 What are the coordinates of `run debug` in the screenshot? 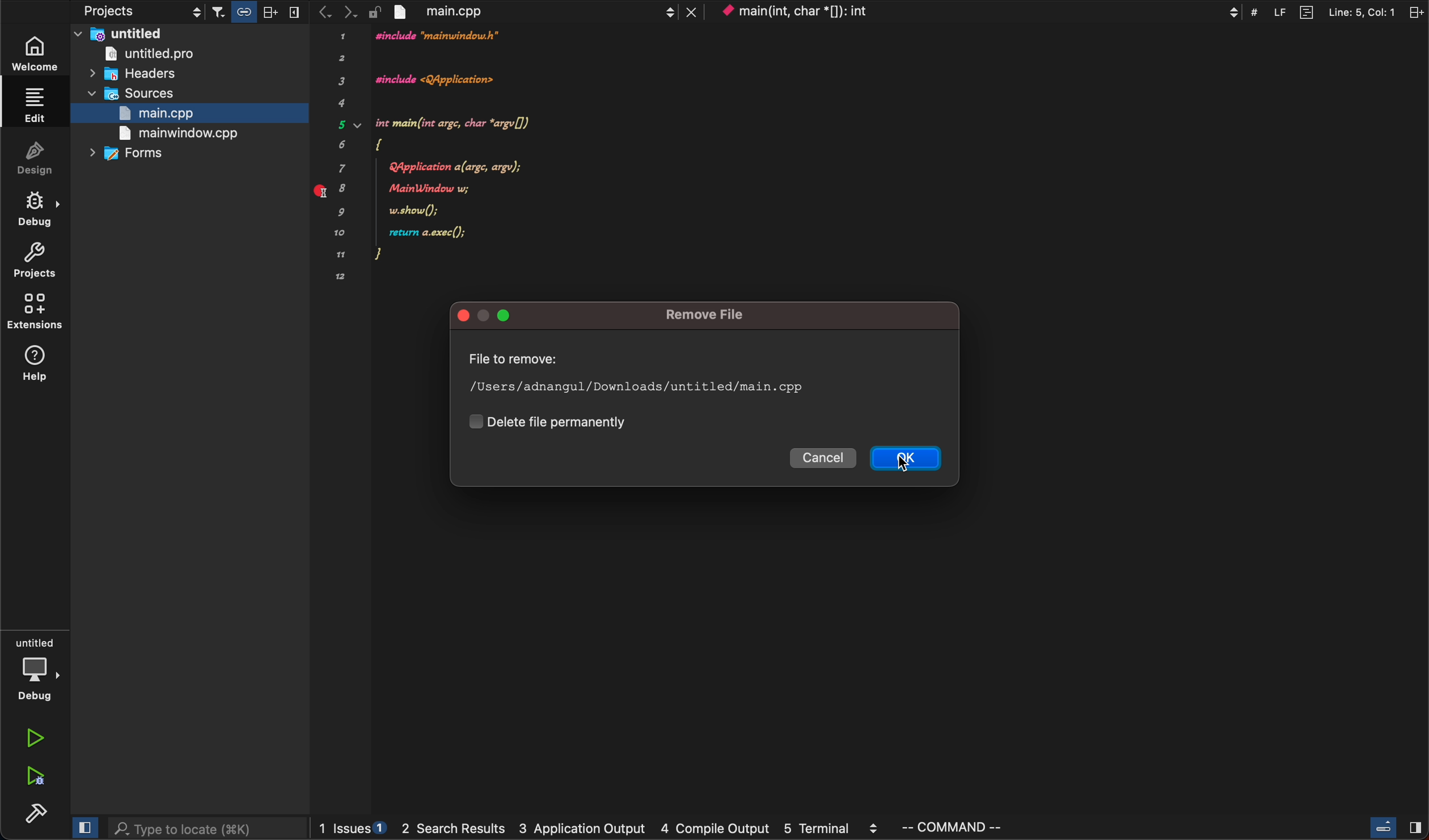 It's located at (33, 778).